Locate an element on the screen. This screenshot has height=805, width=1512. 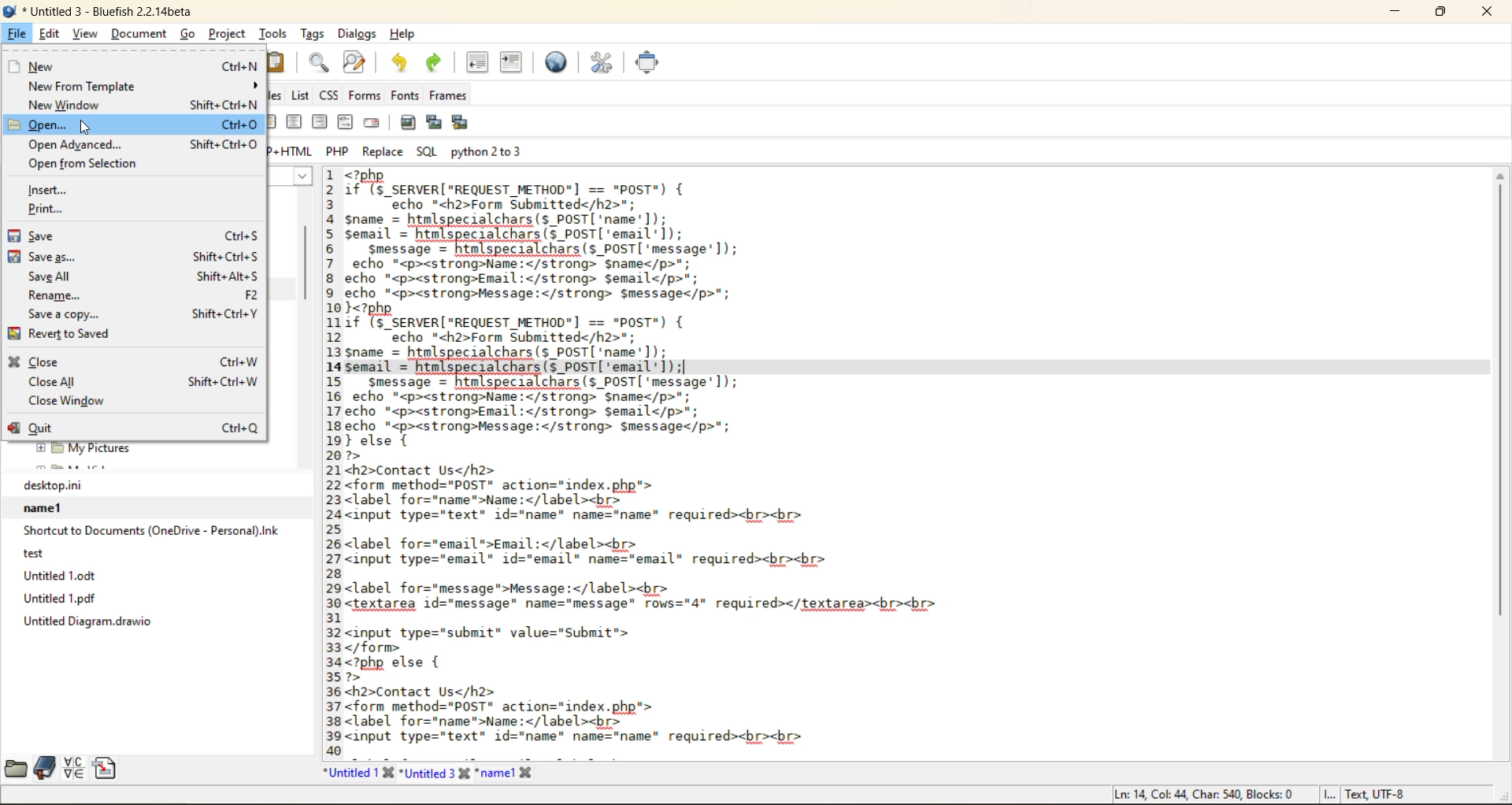
go is located at coordinates (190, 34).